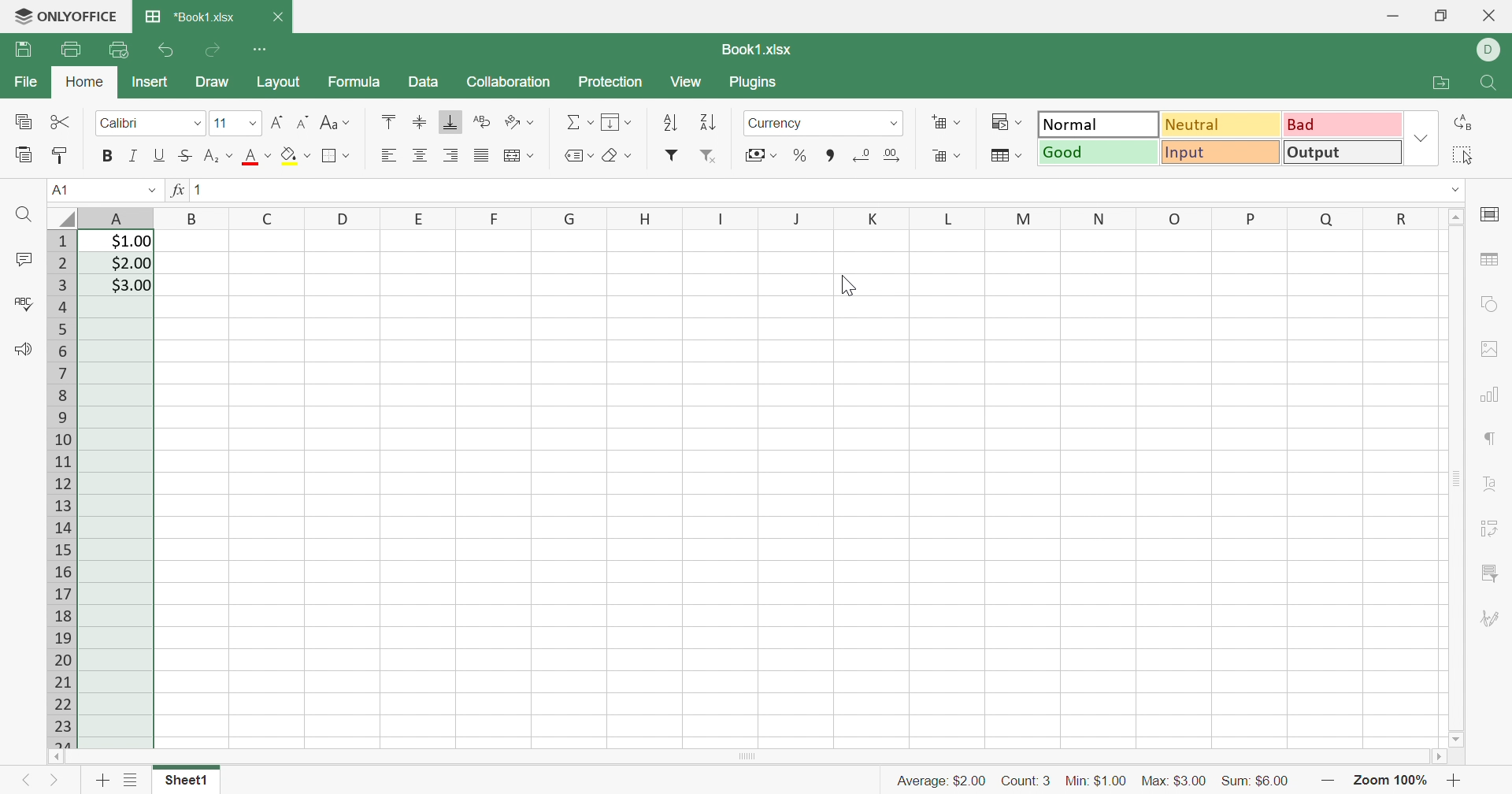 The width and height of the screenshot is (1512, 794). What do you see at coordinates (87, 82) in the screenshot?
I see `Home` at bounding box center [87, 82].